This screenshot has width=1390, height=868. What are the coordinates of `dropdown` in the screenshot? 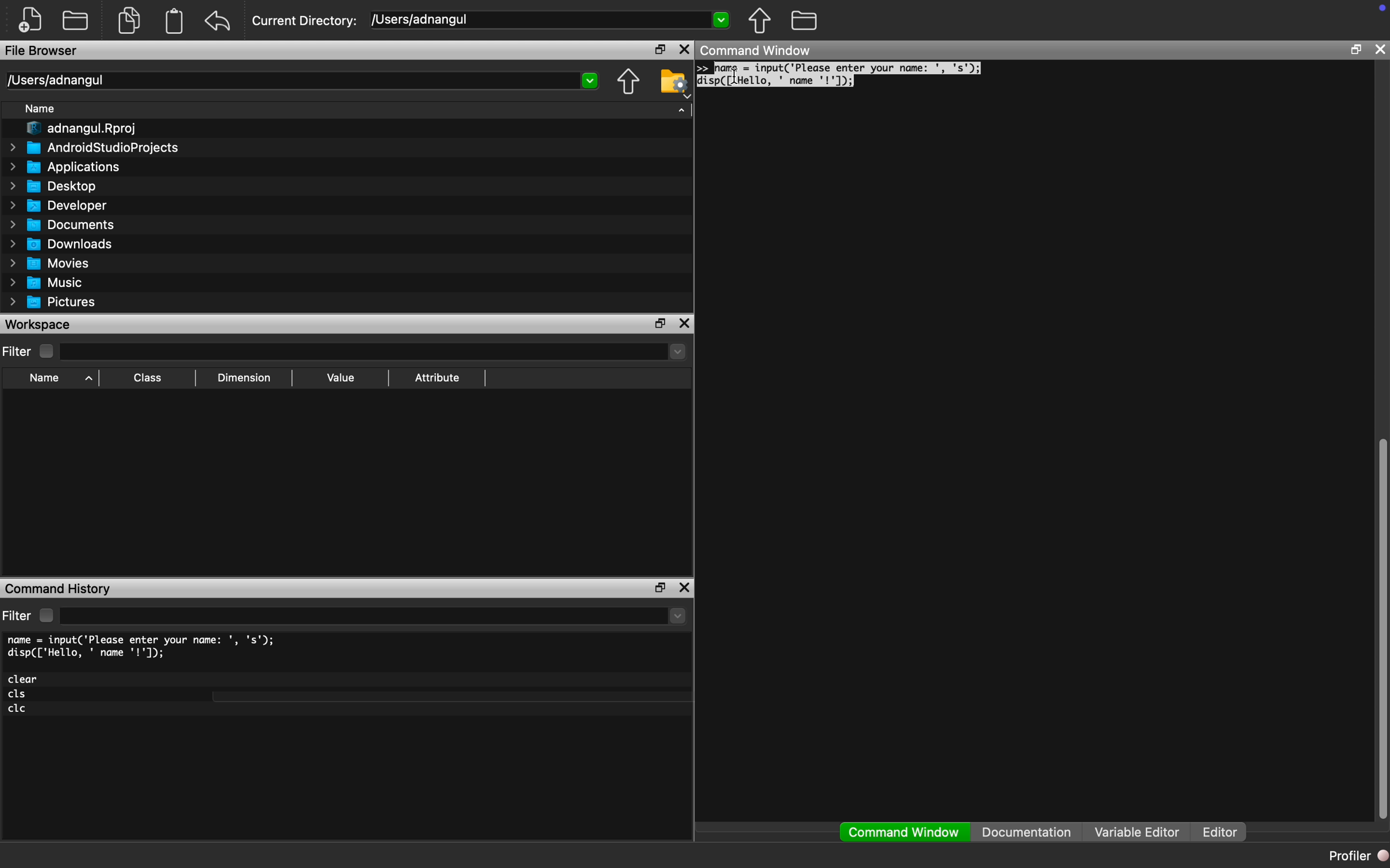 It's located at (675, 351).